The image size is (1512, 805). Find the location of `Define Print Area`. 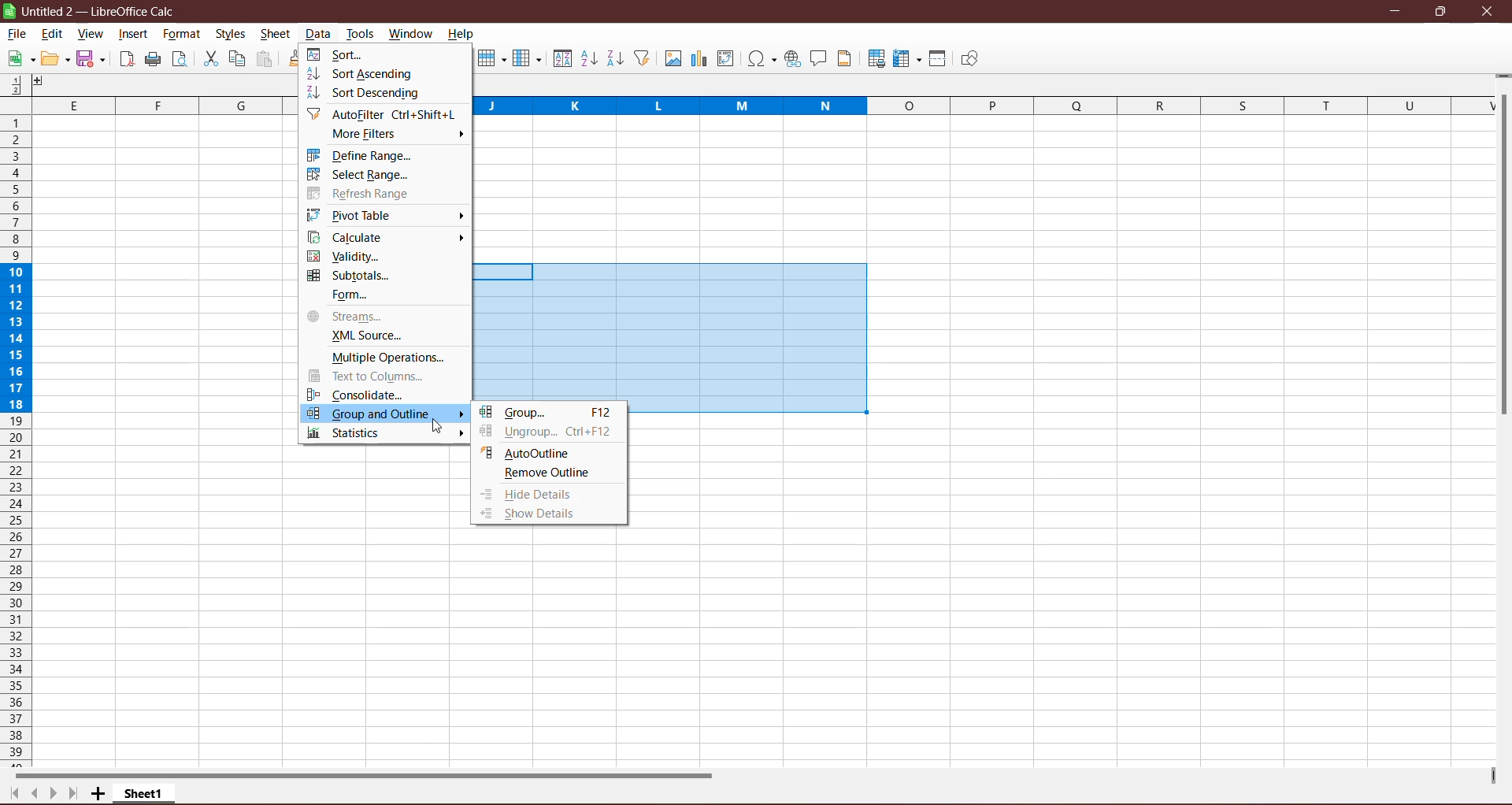

Define Print Area is located at coordinates (876, 60).